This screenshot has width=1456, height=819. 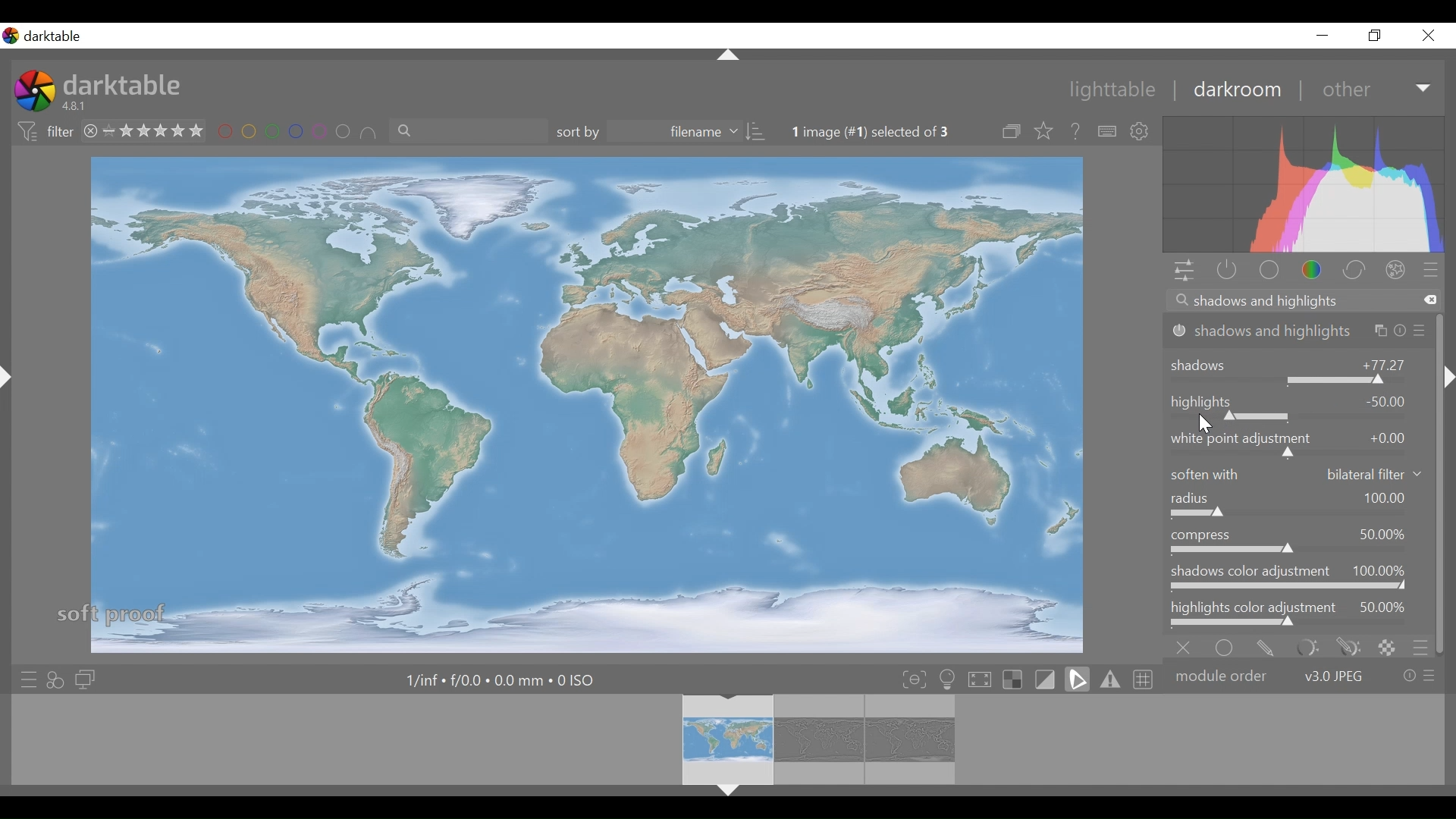 What do you see at coordinates (1299, 474) in the screenshot?
I see `soften with` at bounding box center [1299, 474].